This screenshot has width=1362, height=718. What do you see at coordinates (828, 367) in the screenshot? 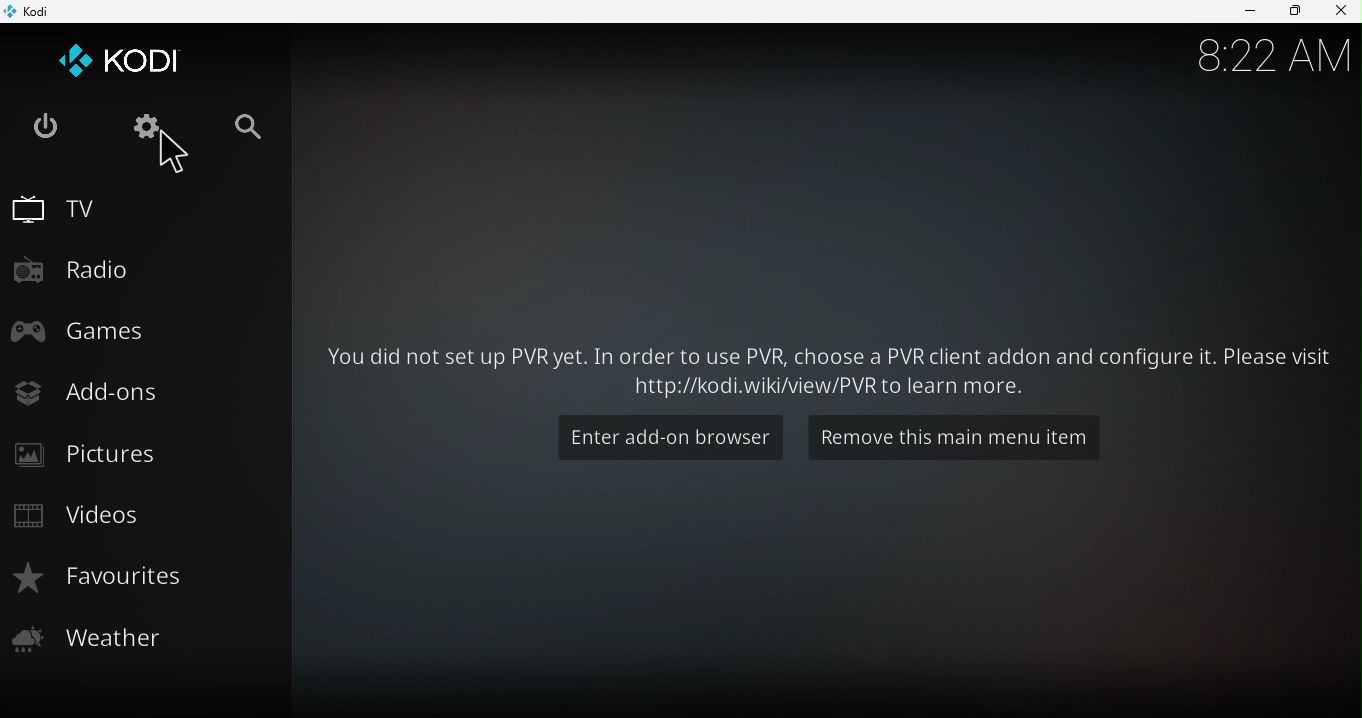
I see `You did not set up PVR yet. In order to use PVR, choose a PVR client addon and configure it. Please visit http:/kodi/wiki/PVR to learn more.` at bounding box center [828, 367].